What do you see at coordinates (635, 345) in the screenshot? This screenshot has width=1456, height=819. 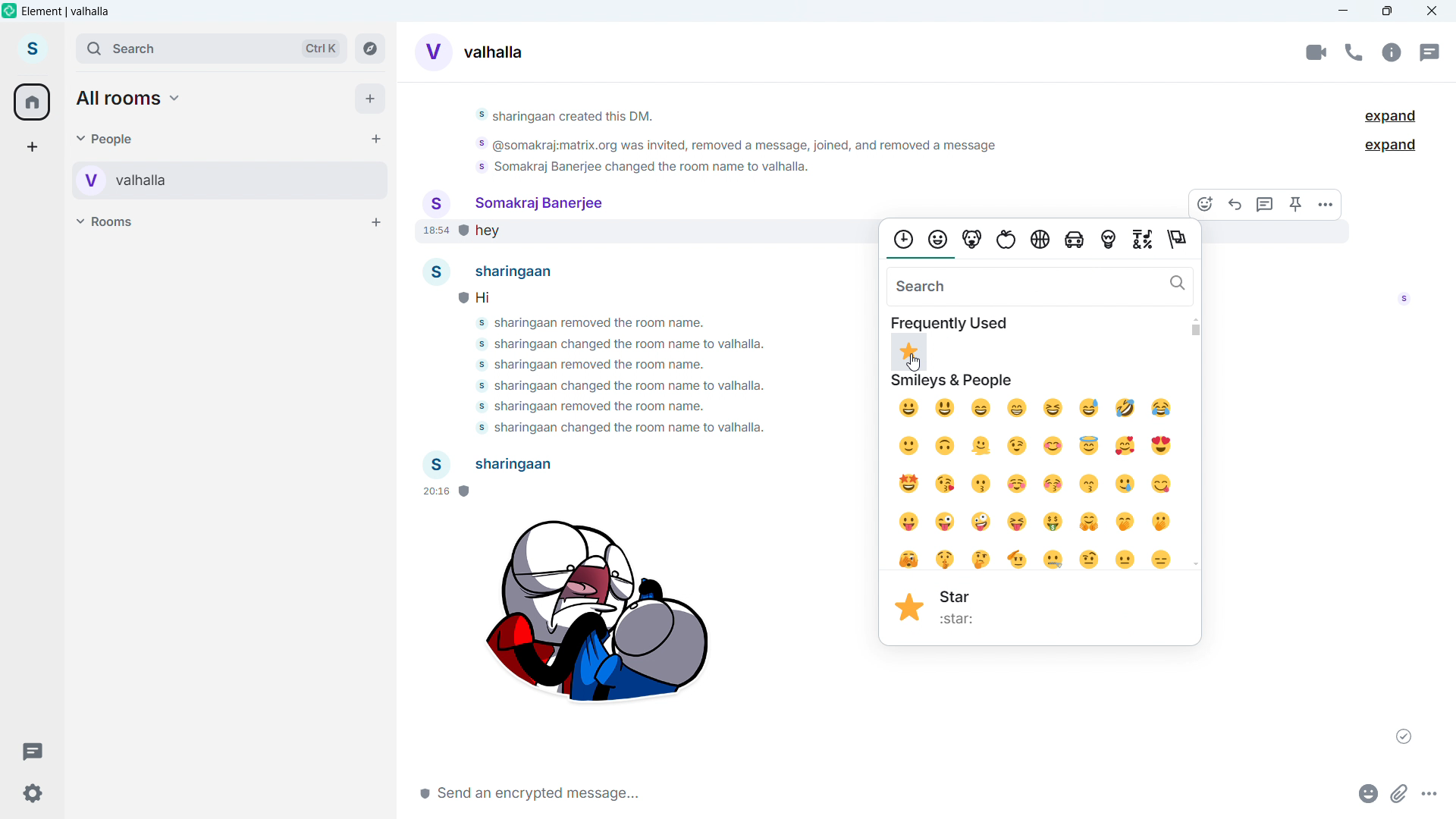 I see `somakraj banerjee charged the room name to valhalla` at bounding box center [635, 345].